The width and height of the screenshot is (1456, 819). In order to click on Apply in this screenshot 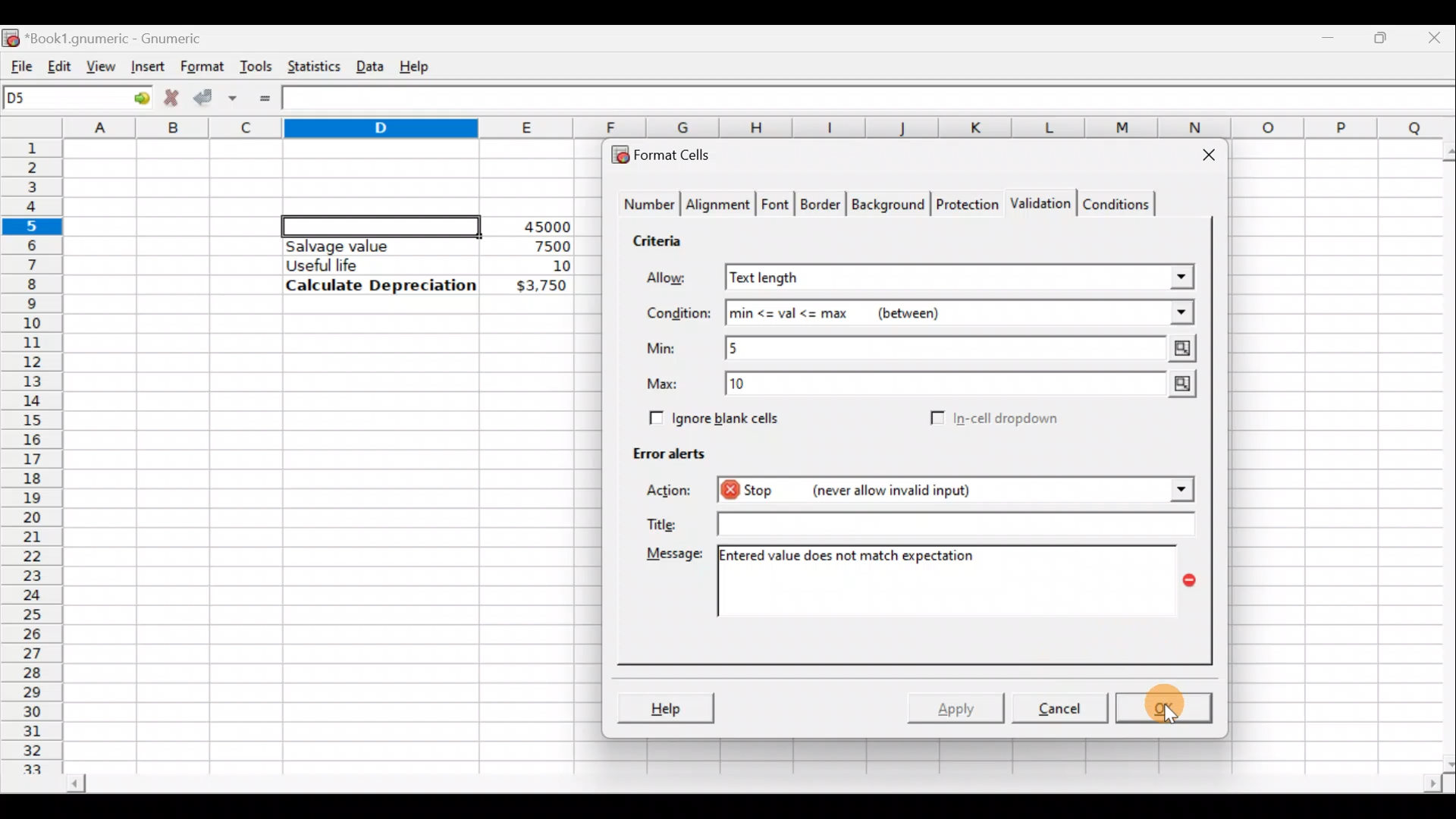, I will do `click(959, 705)`.